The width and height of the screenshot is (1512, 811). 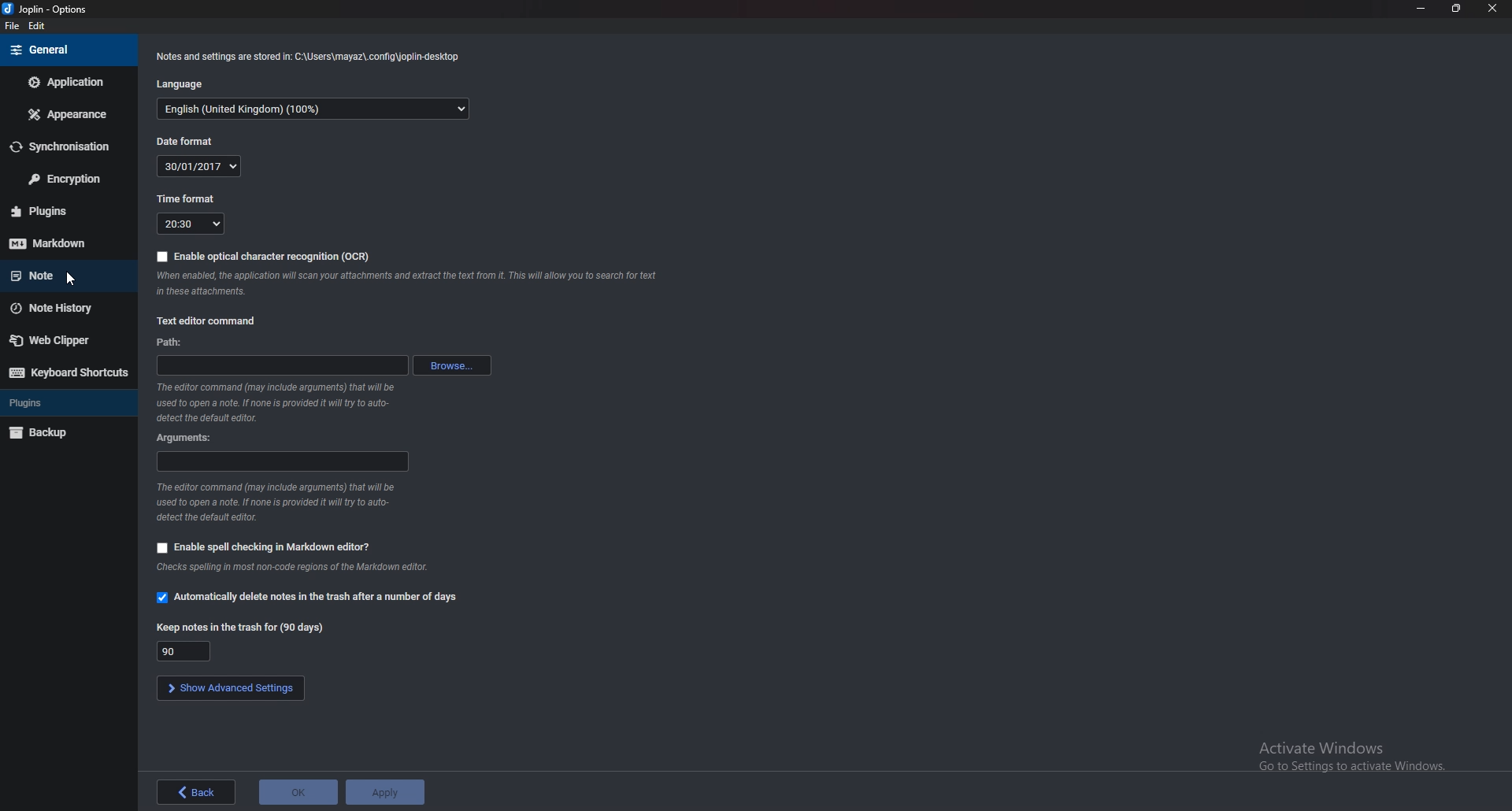 What do you see at coordinates (69, 180) in the screenshot?
I see `Encryption` at bounding box center [69, 180].